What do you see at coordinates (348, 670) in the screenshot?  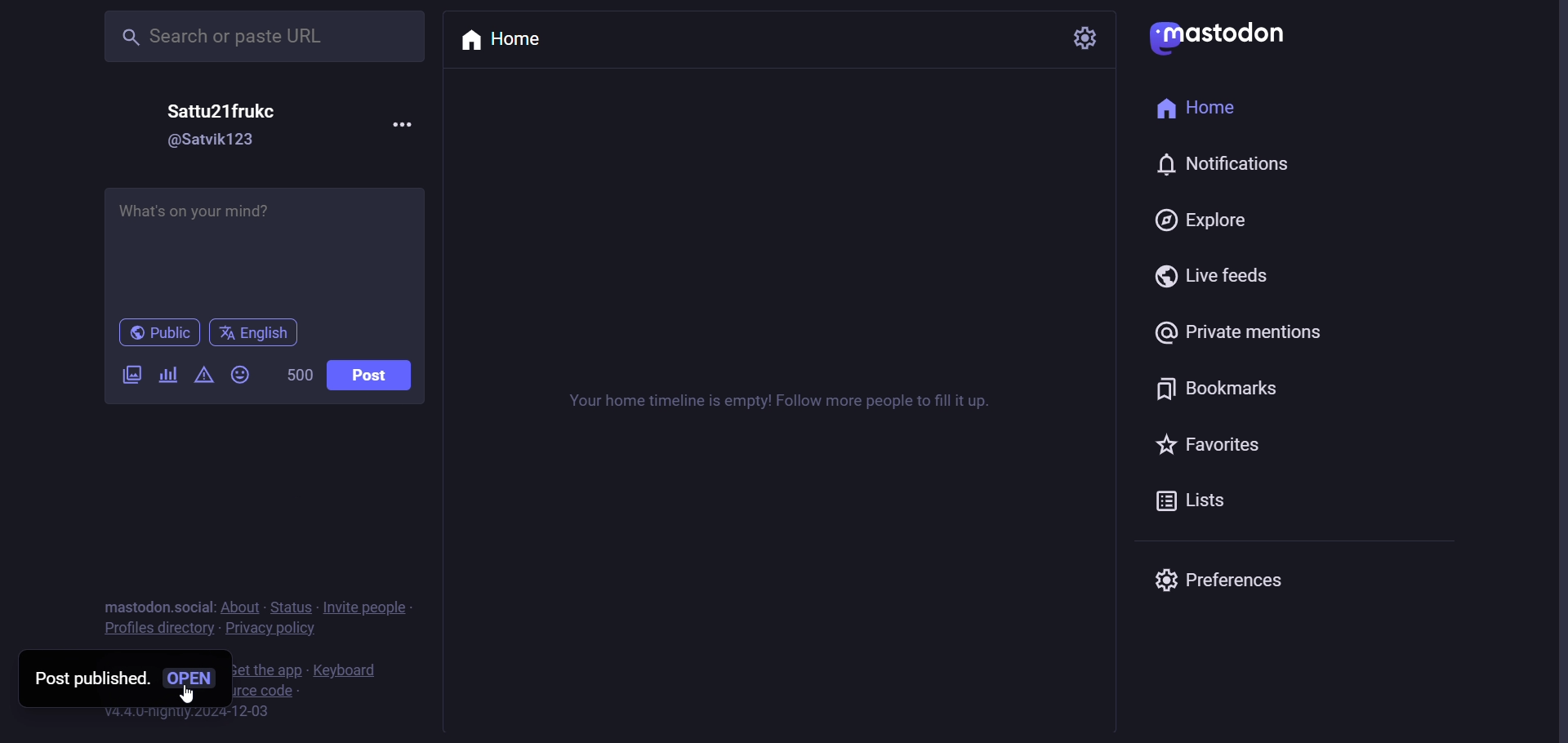 I see `keyboard` at bounding box center [348, 670].